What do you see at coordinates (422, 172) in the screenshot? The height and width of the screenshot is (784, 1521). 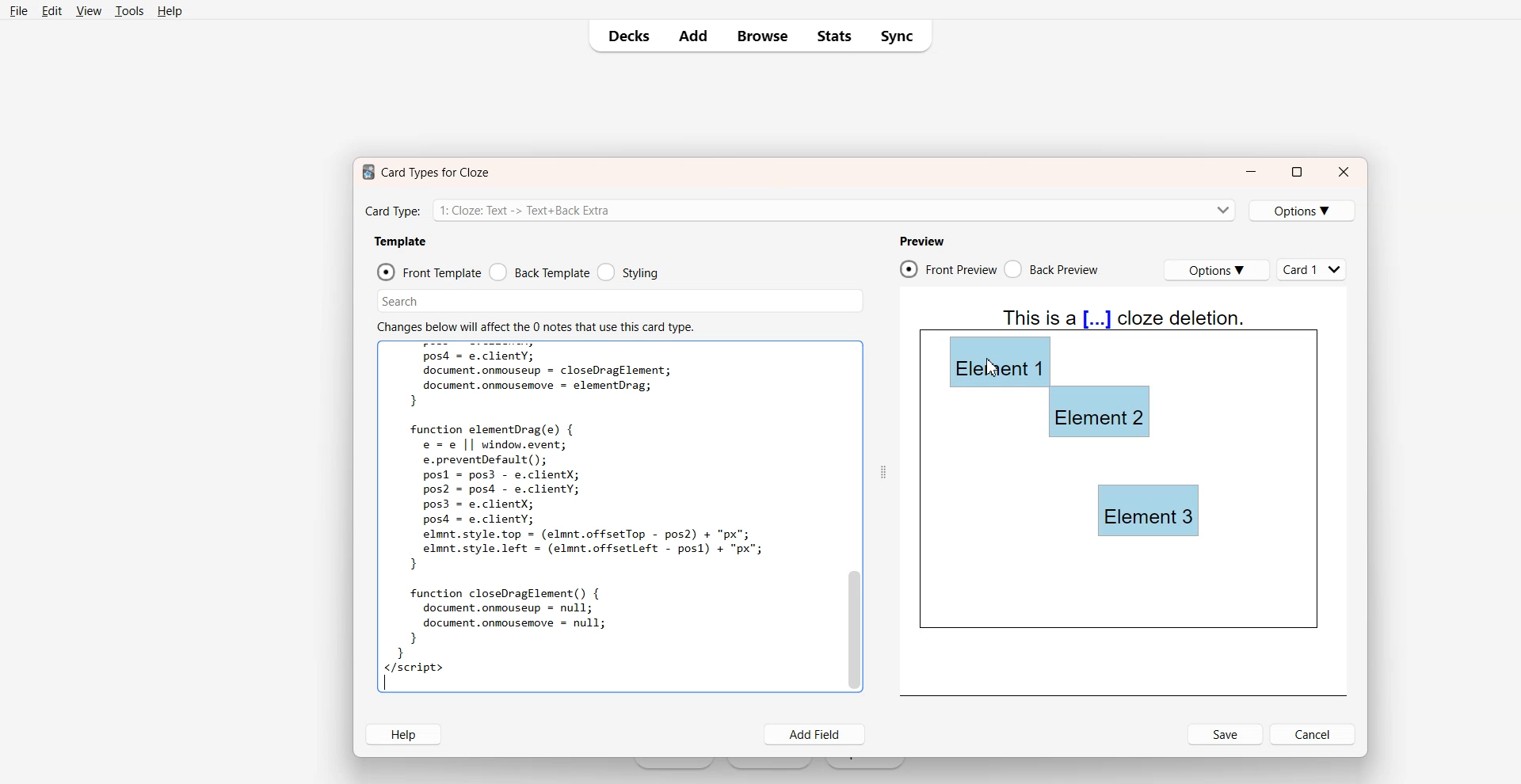 I see `Text 1` at bounding box center [422, 172].